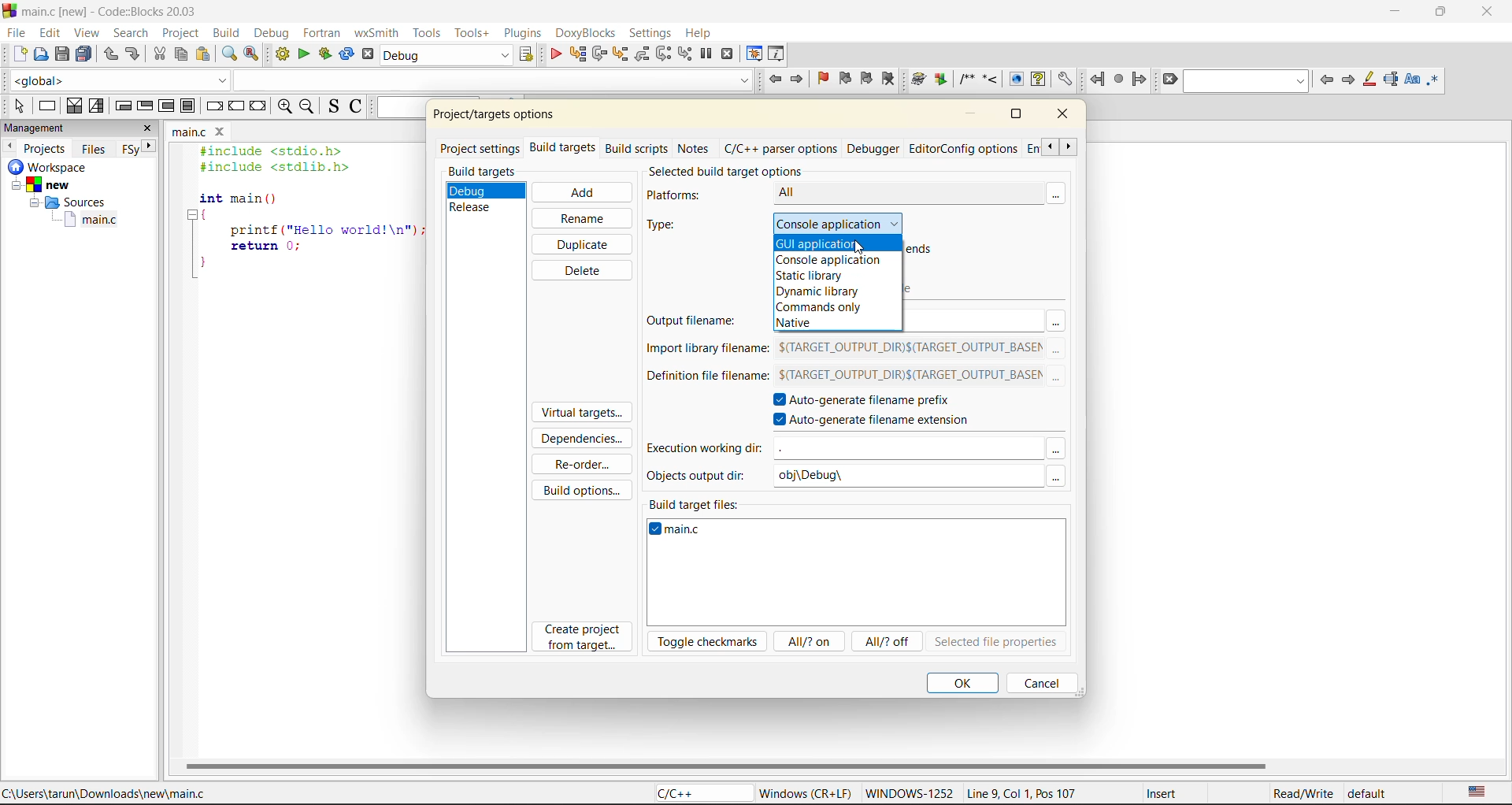  What do you see at coordinates (501, 115) in the screenshot?
I see `project/target  options` at bounding box center [501, 115].